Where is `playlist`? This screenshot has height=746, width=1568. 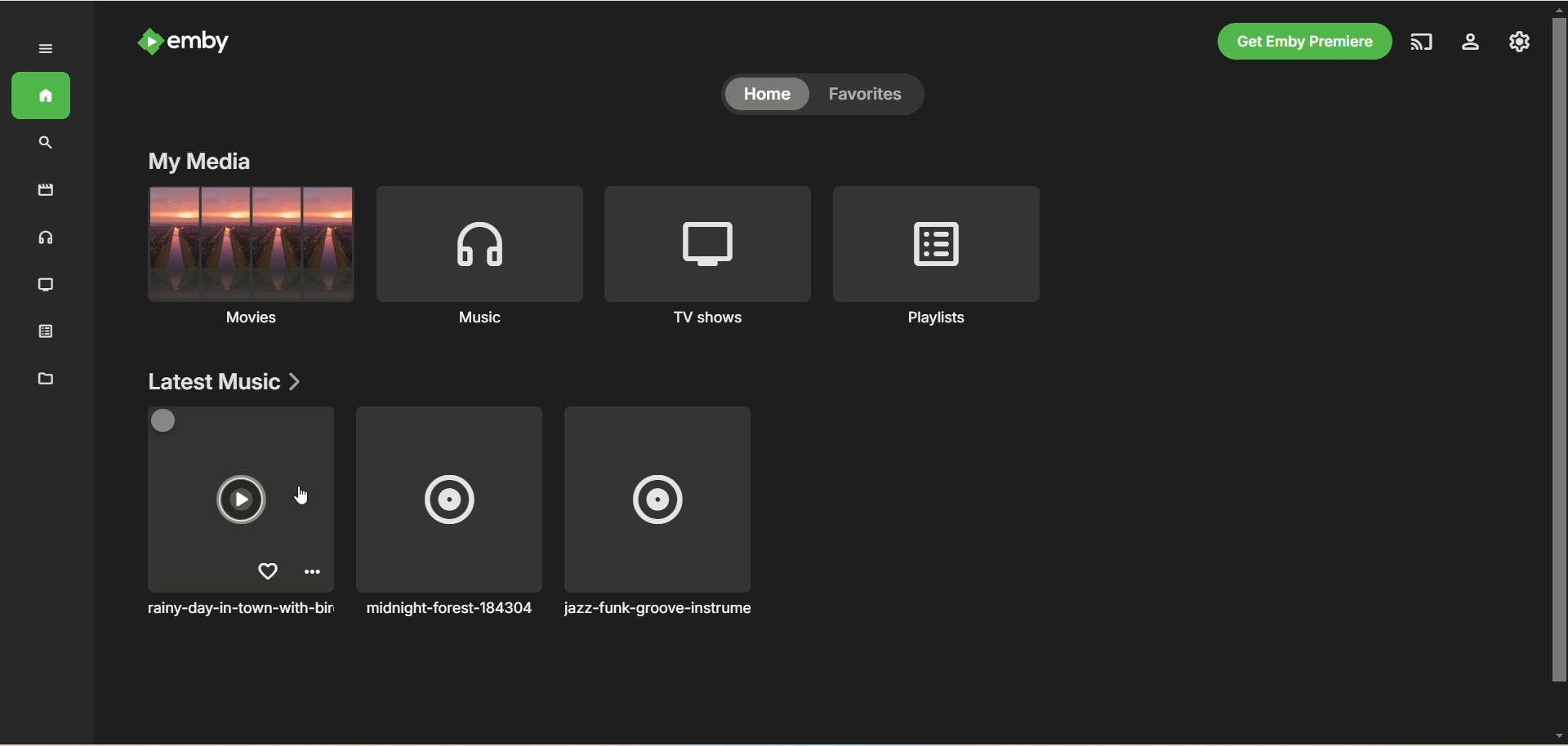 playlist is located at coordinates (48, 334).